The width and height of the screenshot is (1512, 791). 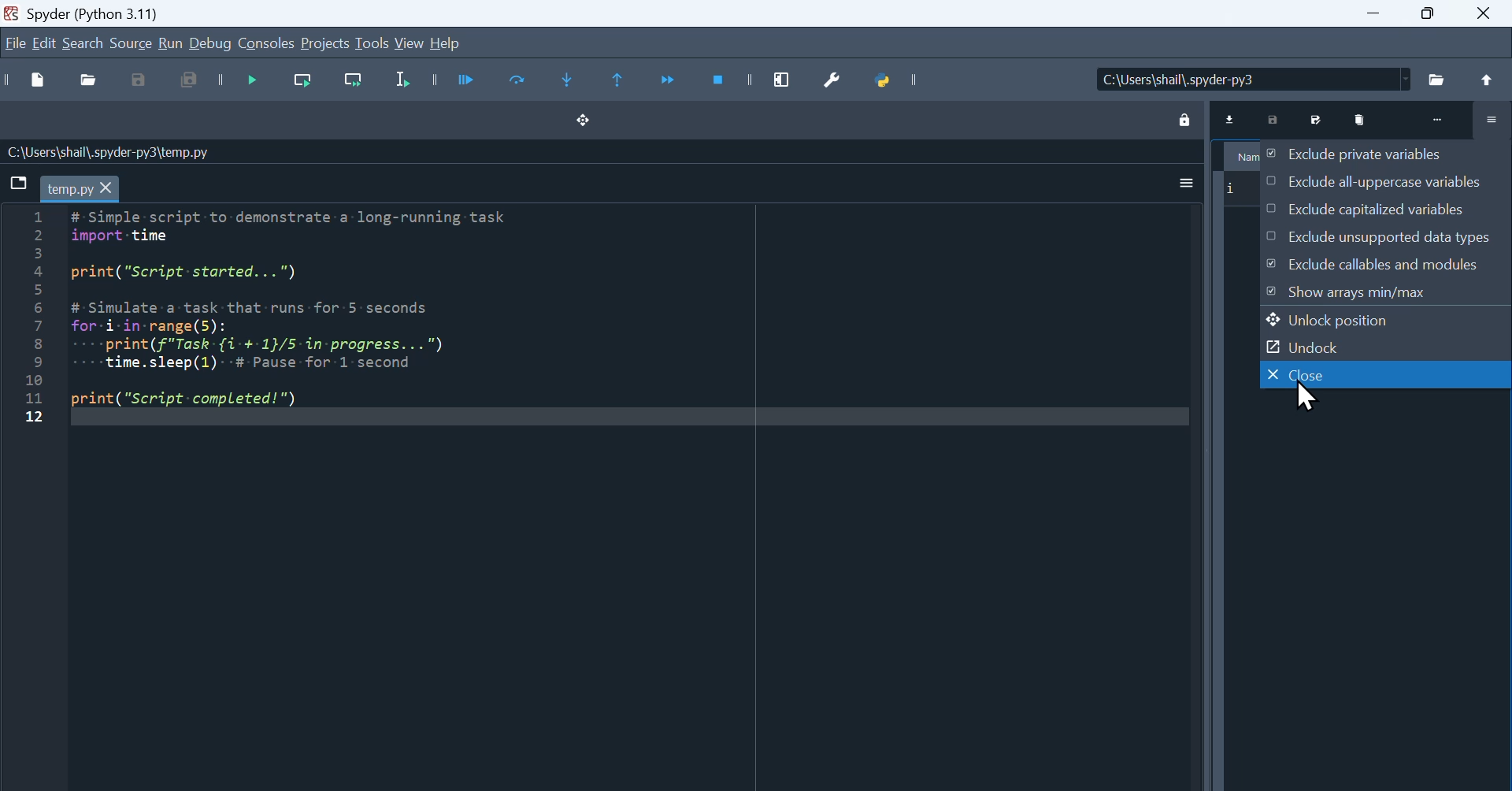 What do you see at coordinates (266, 42) in the screenshot?
I see `Consol` at bounding box center [266, 42].